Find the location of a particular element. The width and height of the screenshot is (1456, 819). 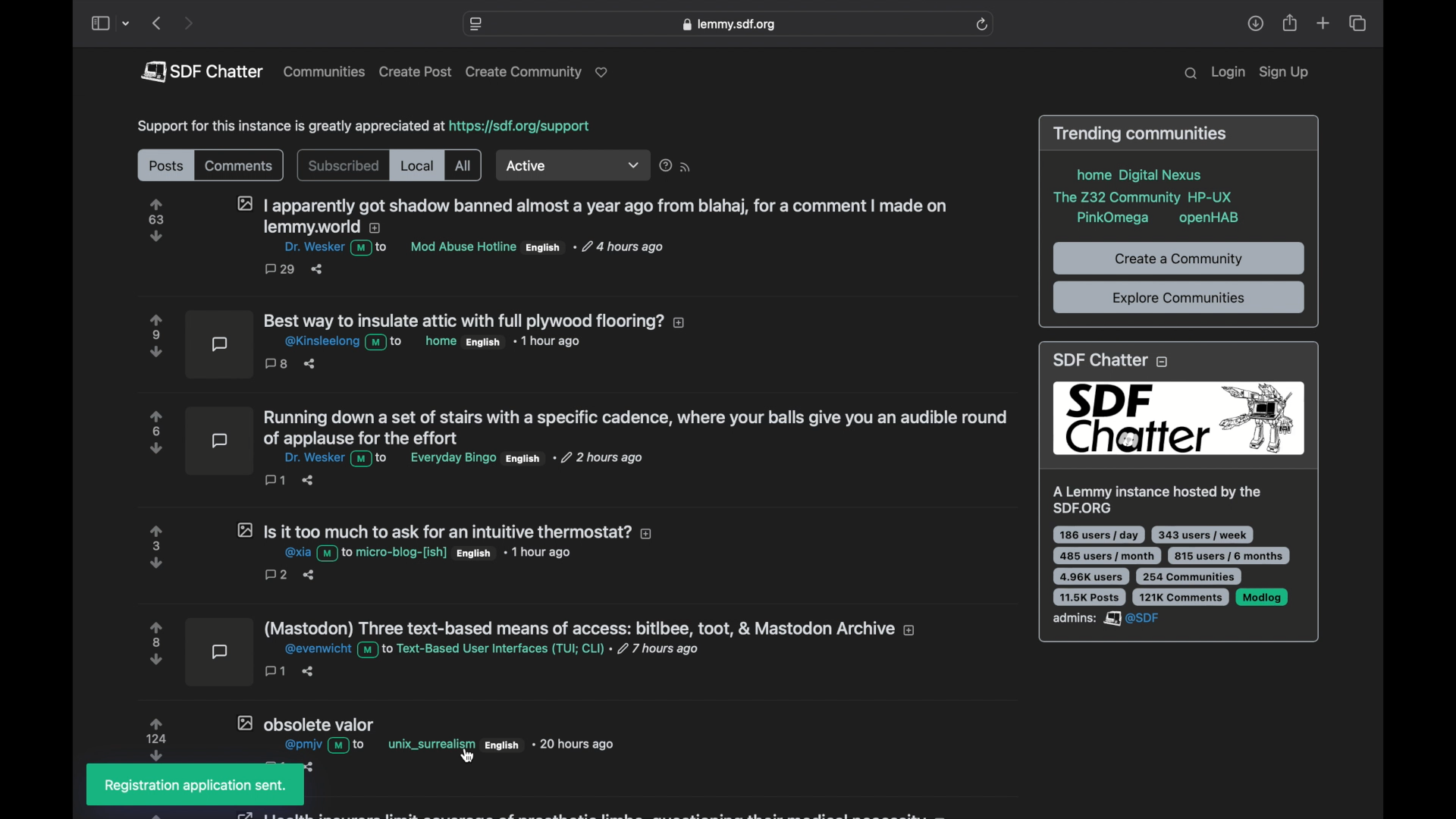

ocal is located at coordinates (418, 167).